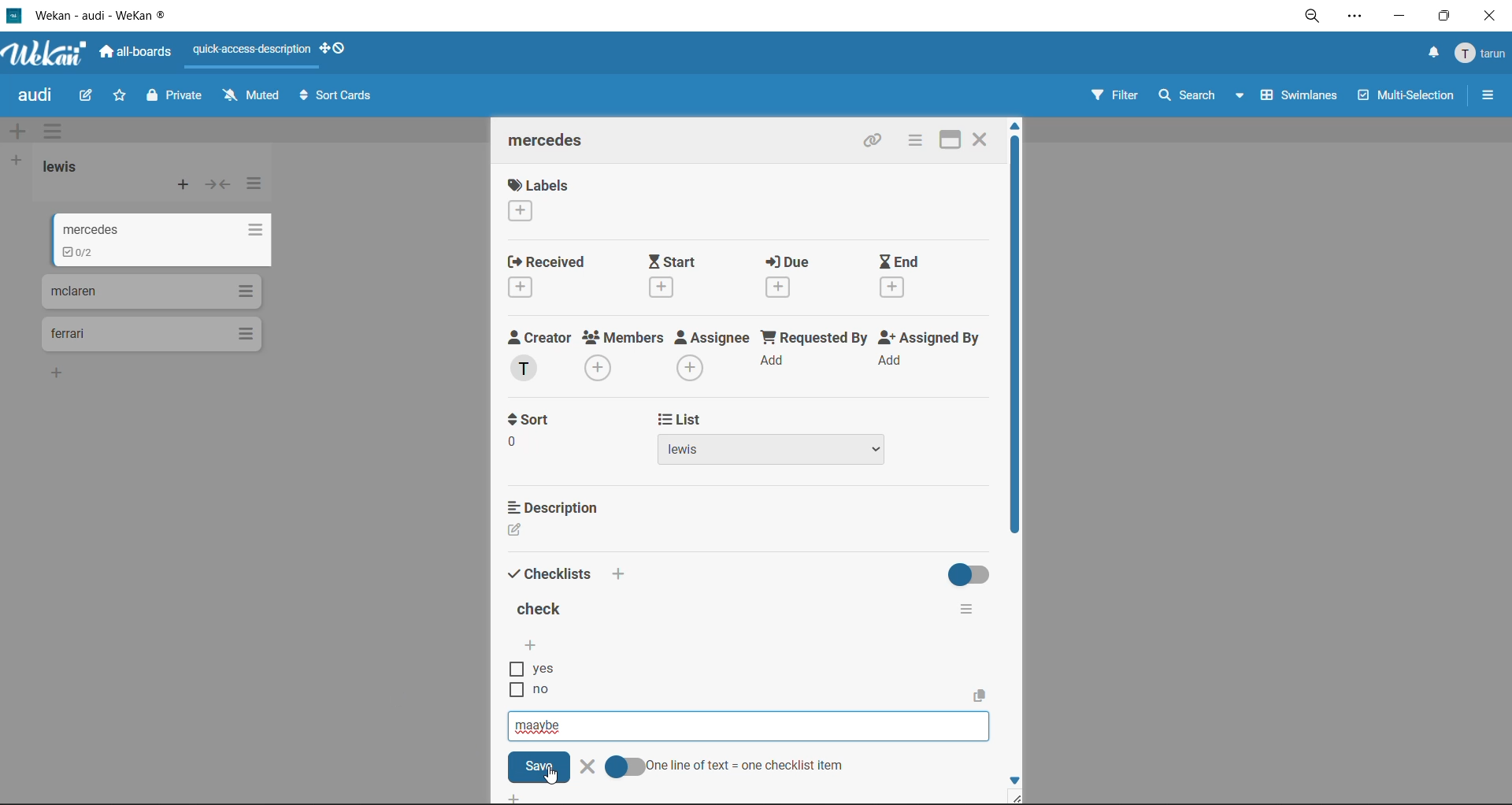  Describe the element at coordinates (537, 420) in the screenshot. I see `sort` at that location.